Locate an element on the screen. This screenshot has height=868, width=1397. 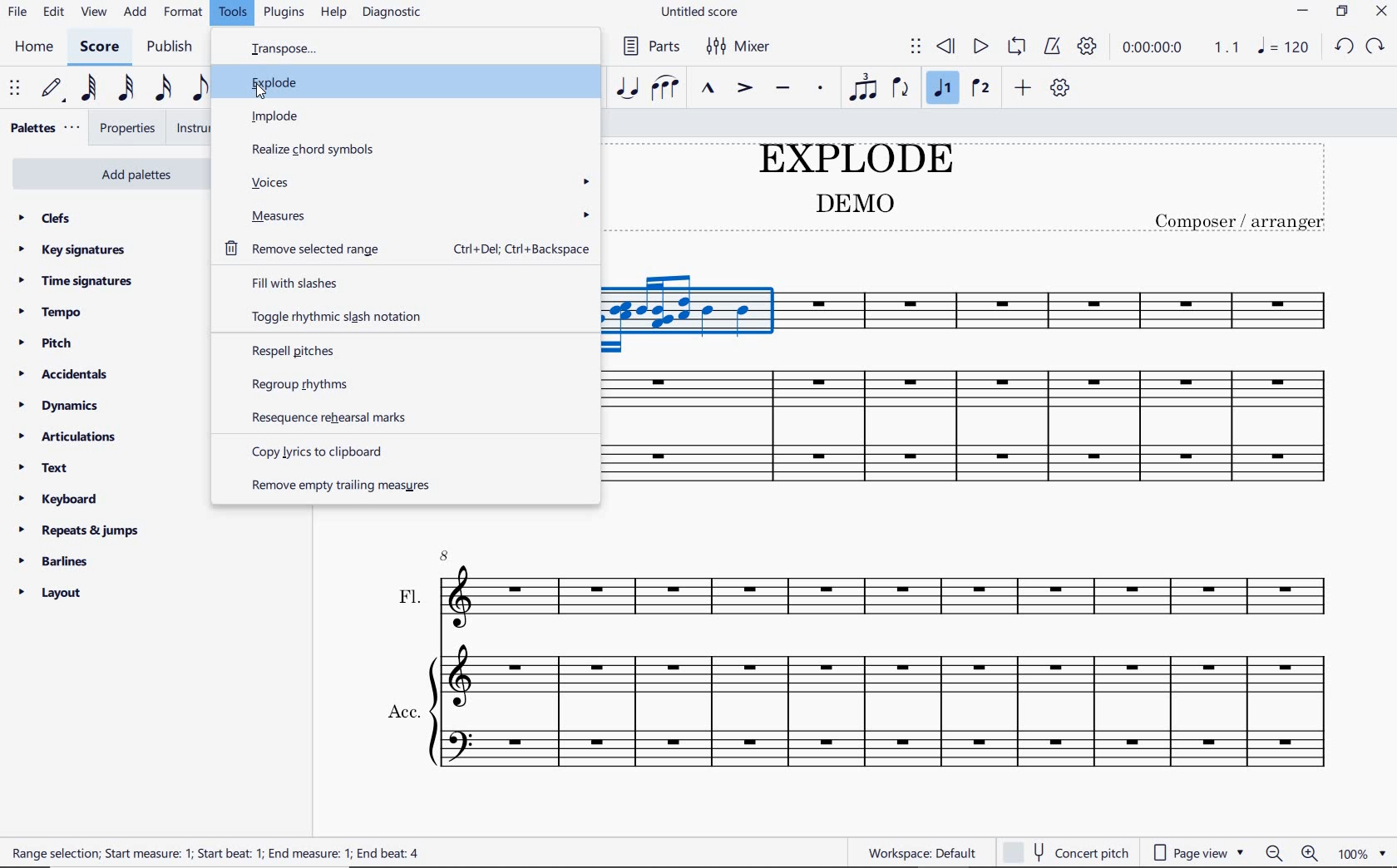
tools is located at coordinates (235, 13).